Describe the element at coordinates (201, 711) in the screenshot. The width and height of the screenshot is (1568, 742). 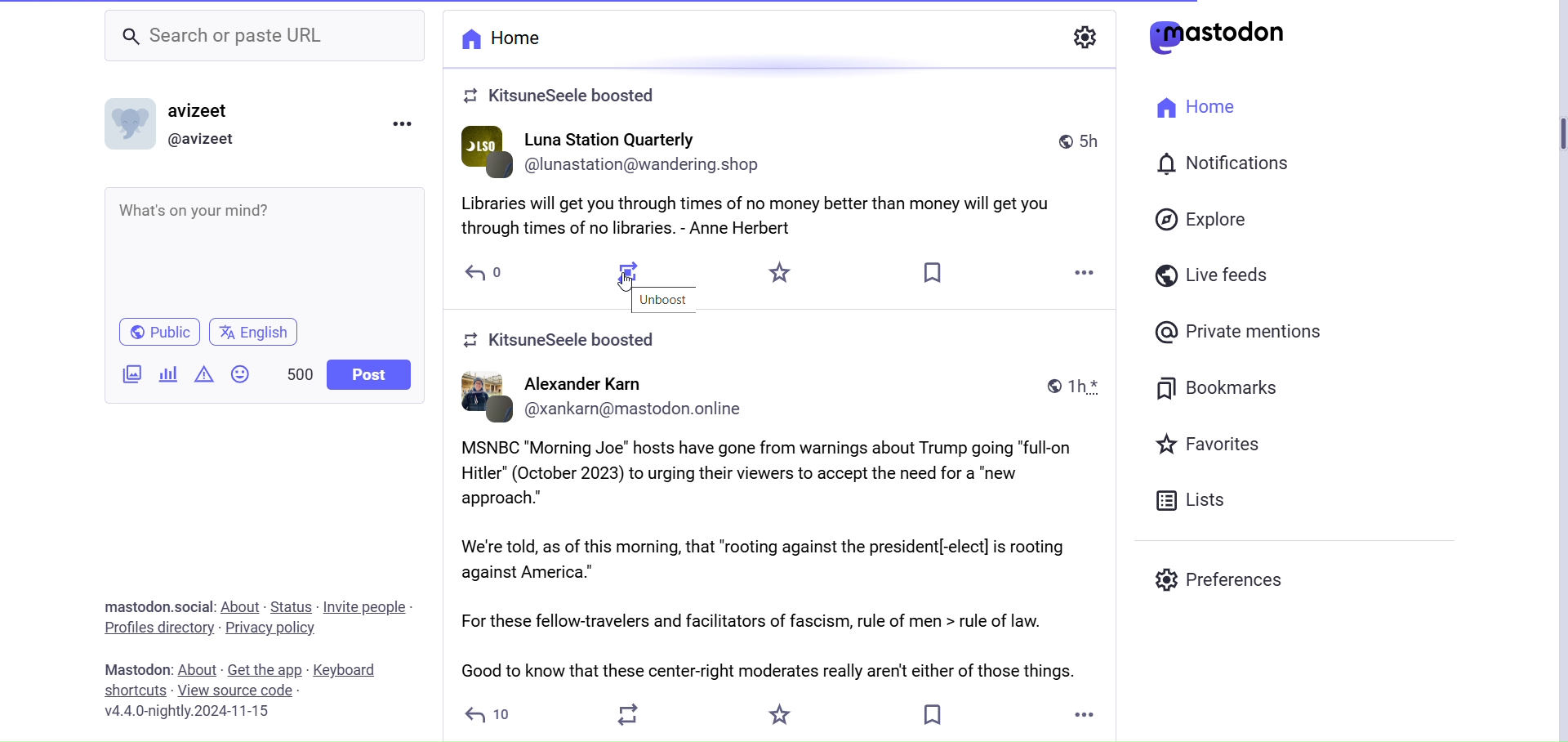
I see `Version` at that location.